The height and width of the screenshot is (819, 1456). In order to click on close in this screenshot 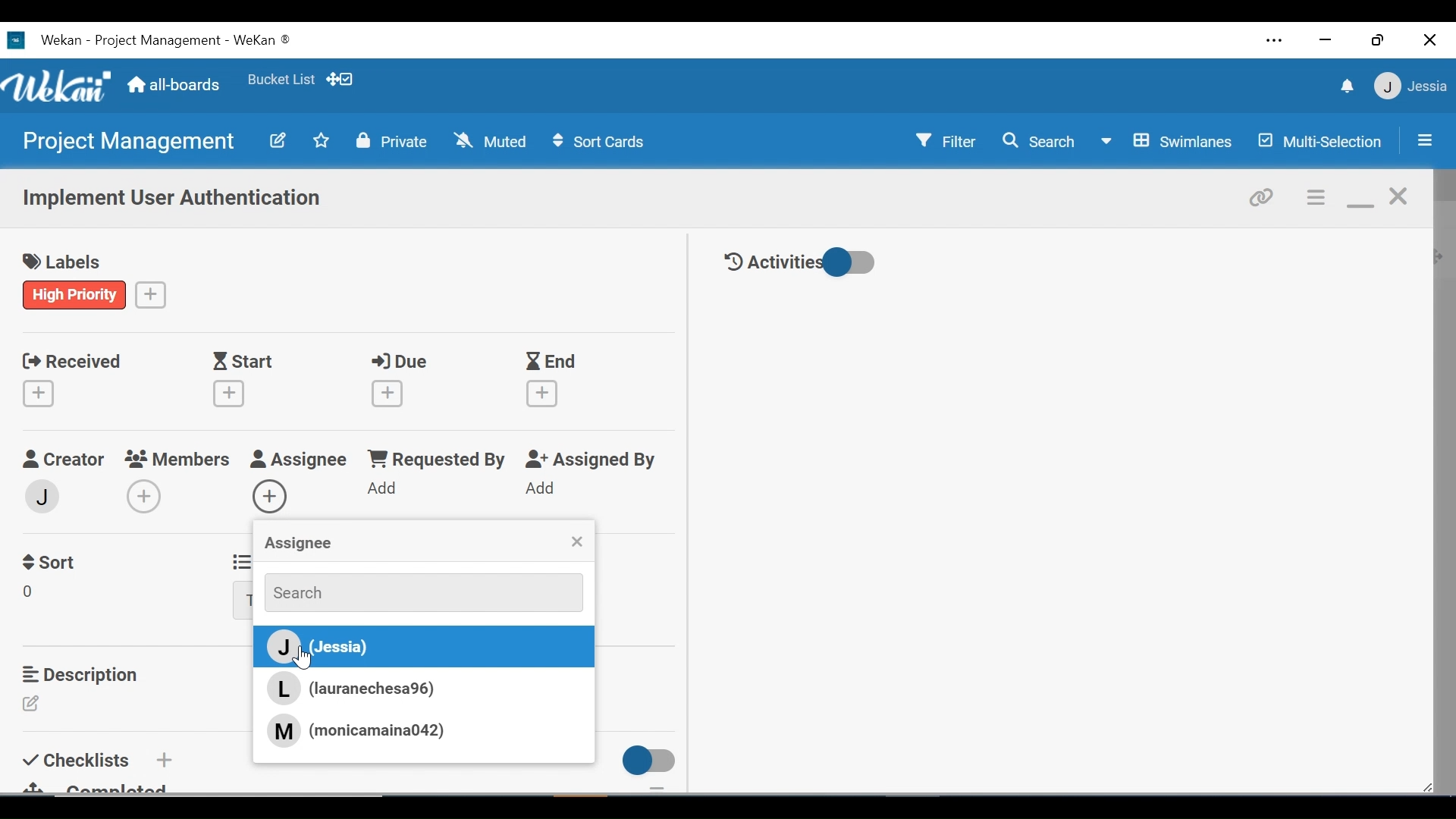, I will do `click(1400, 197)`.